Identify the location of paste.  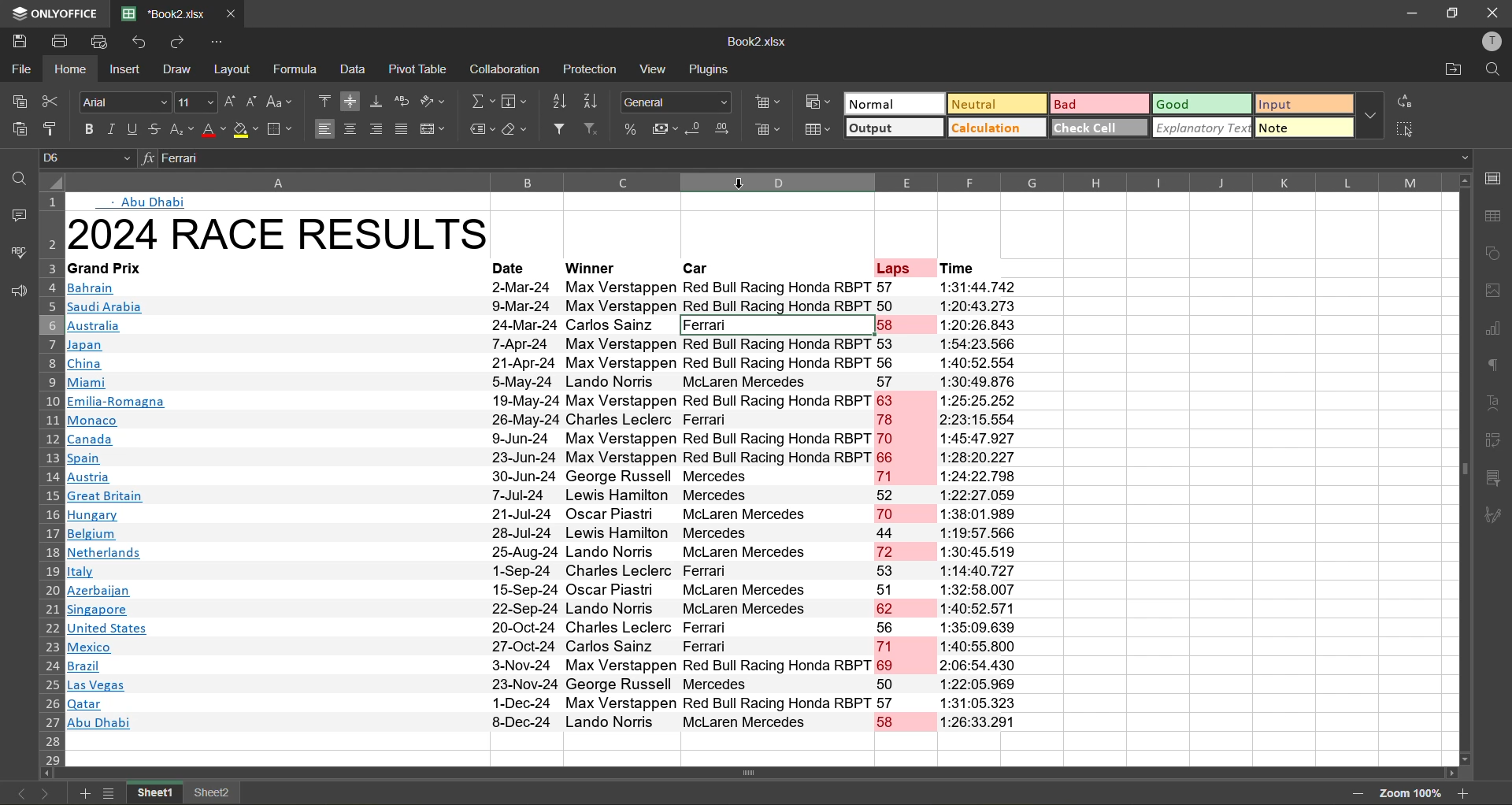
(19, 129).